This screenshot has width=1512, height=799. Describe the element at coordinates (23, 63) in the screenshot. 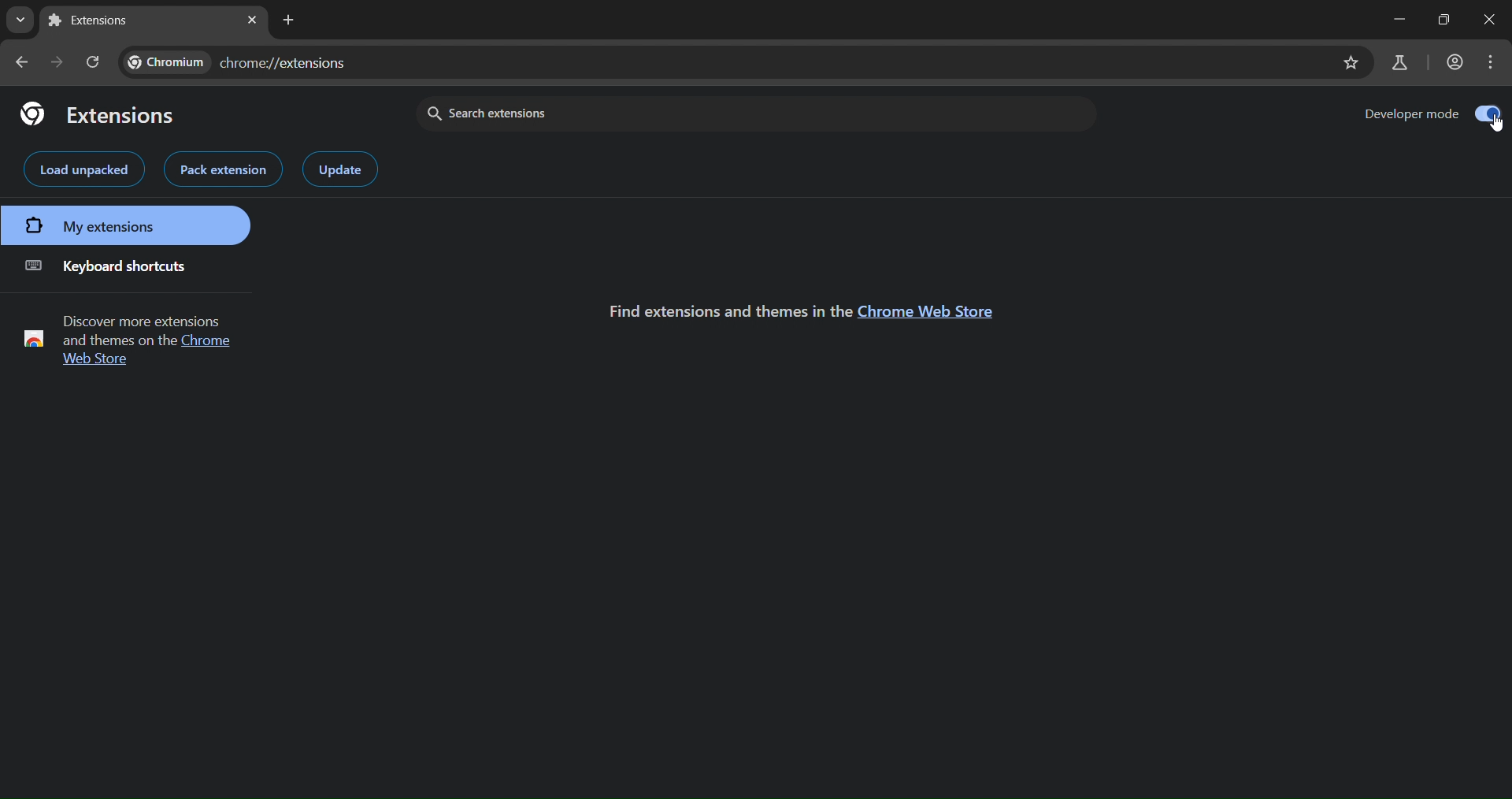

I see `go back one page` at that location.